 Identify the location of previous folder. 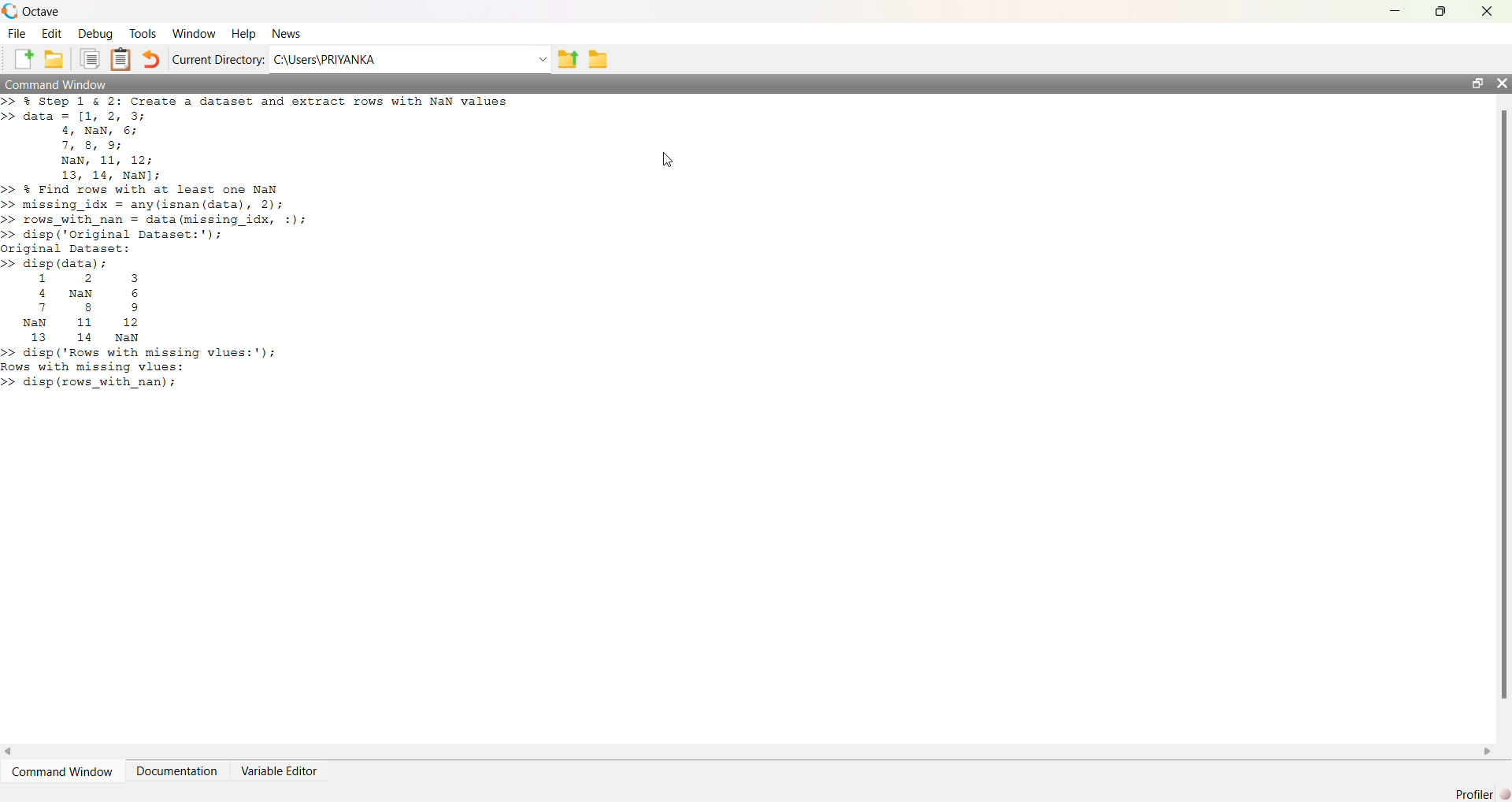
(567, 61).